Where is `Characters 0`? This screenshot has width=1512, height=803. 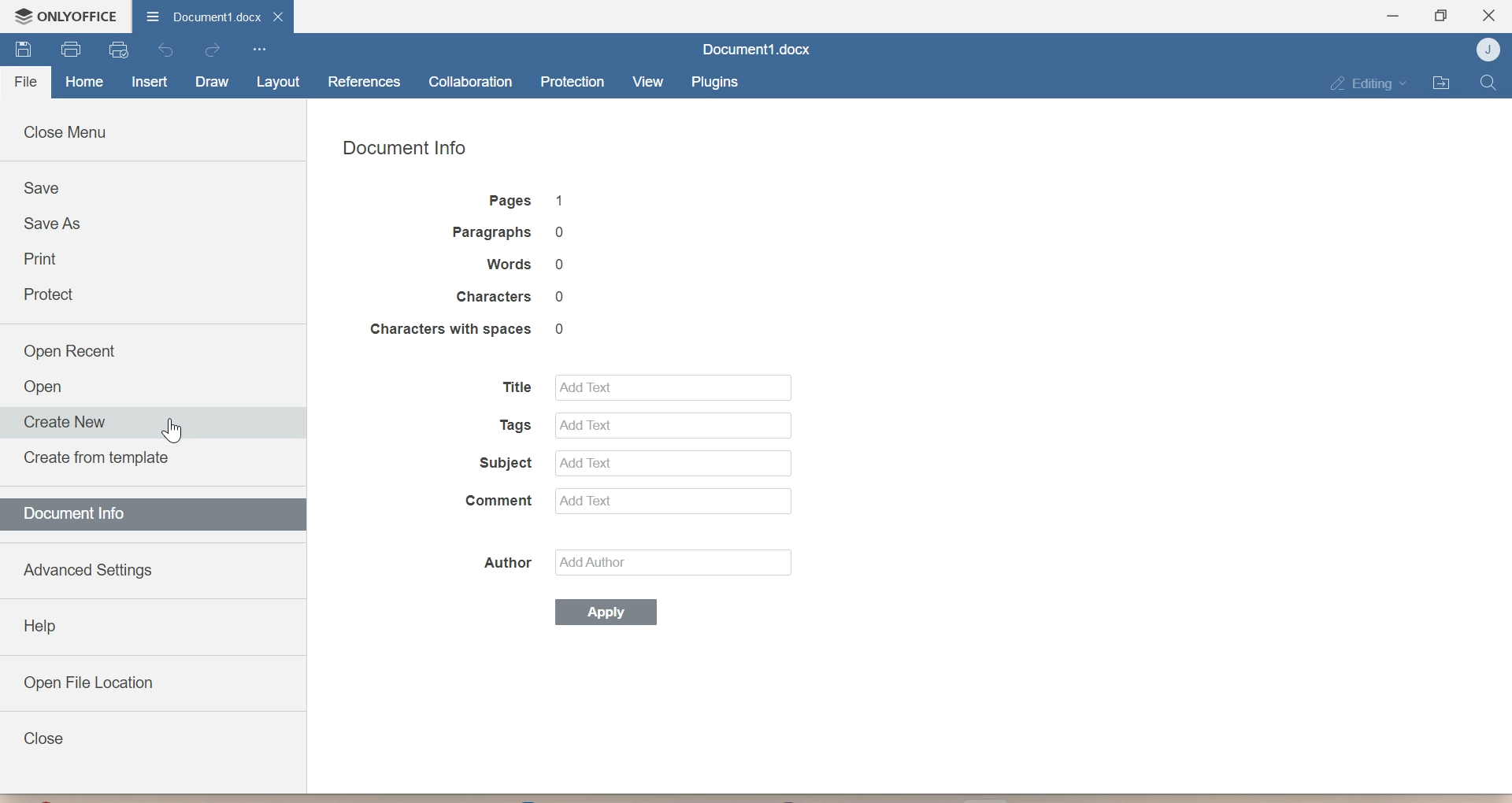 Characters 0 is located at coordinates (519, 297).